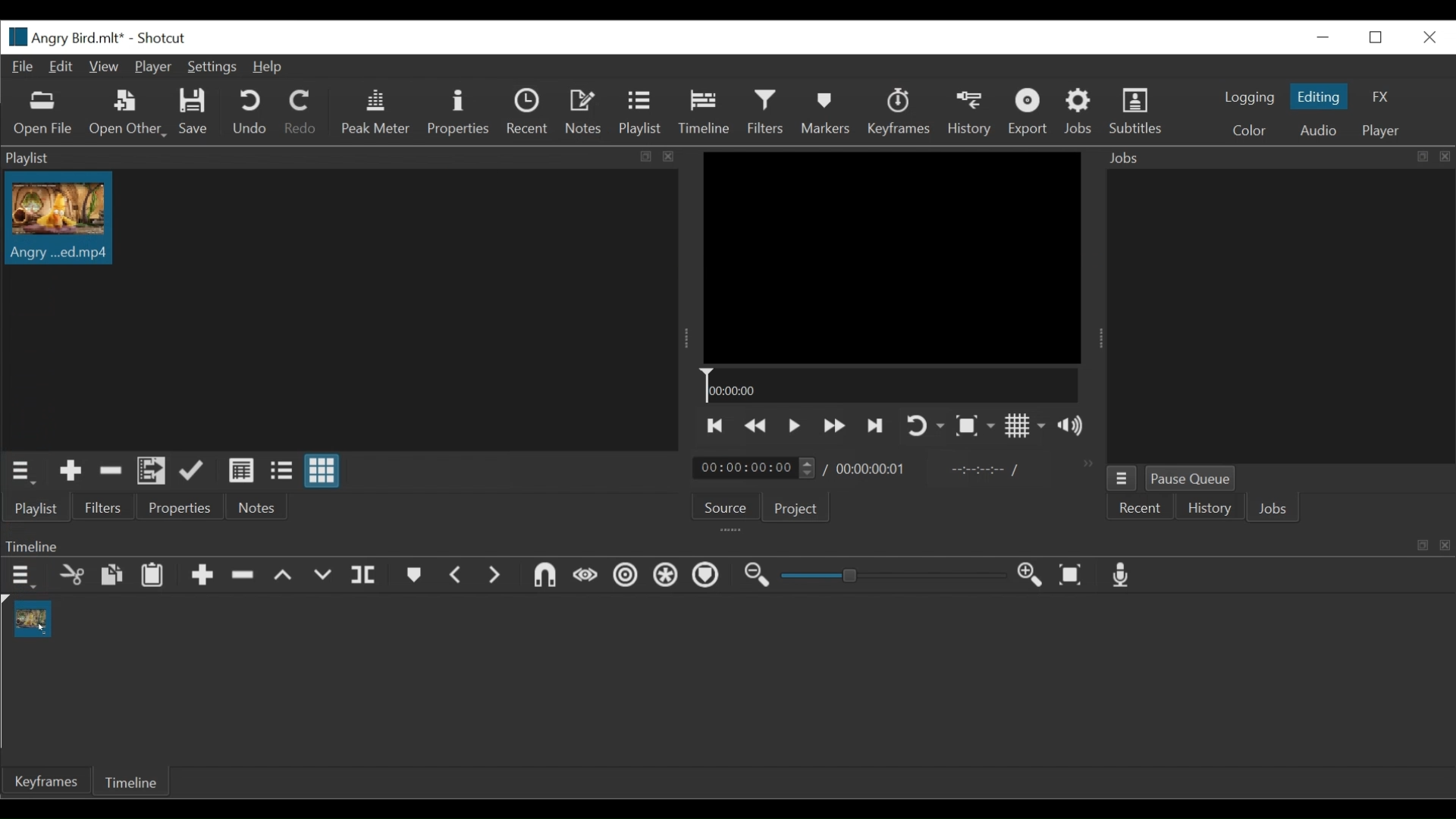 Image resolution: width=1456 pixels, height=819 pixels. What do you see at coordinates (1272, 508) in the screenshot?
I see `Jobs` at bounding box center [1272, 508].